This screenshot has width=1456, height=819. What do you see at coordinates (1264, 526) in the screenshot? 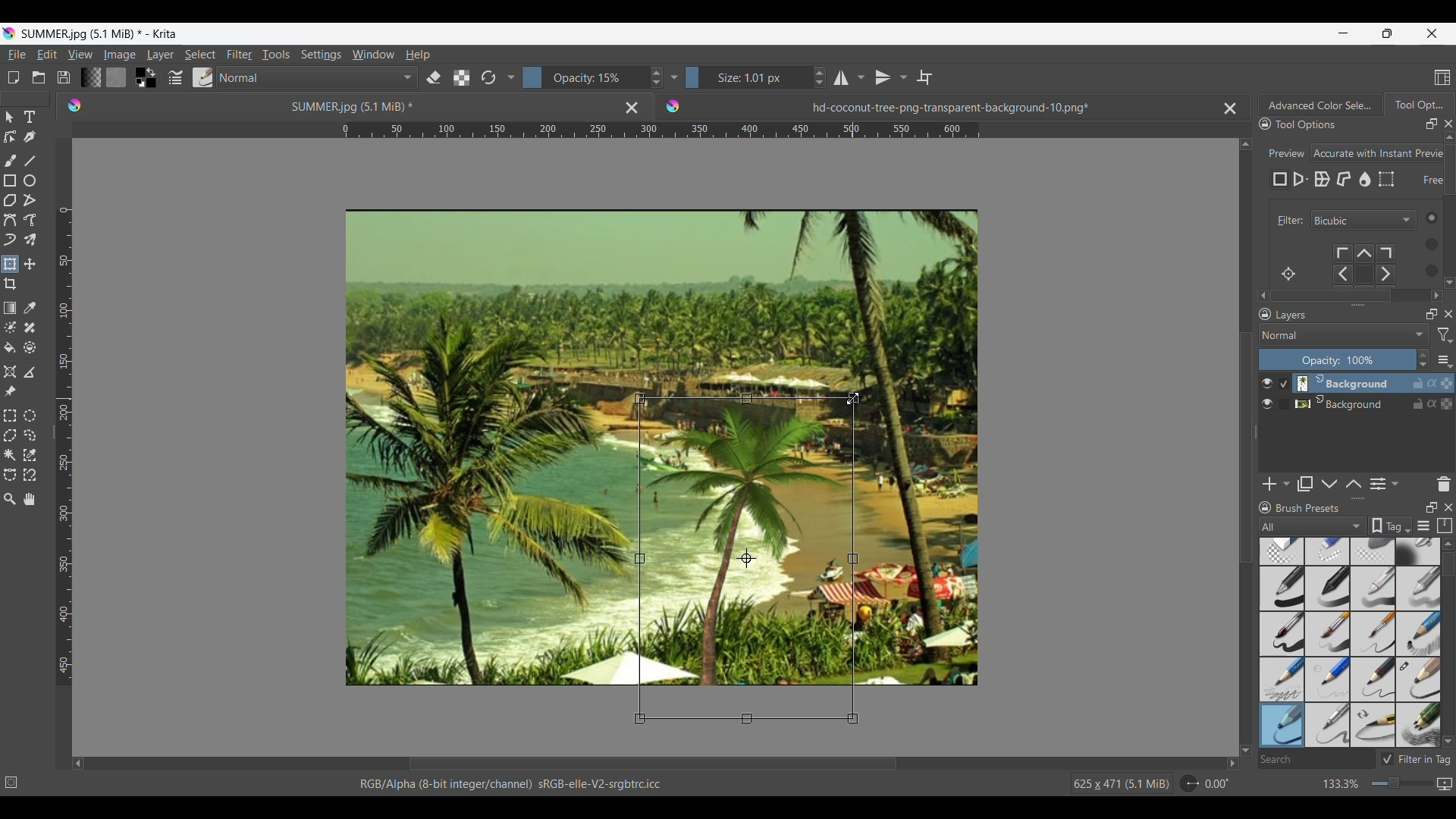
I see `Brush preset options` at bounding box center [1264, 526].